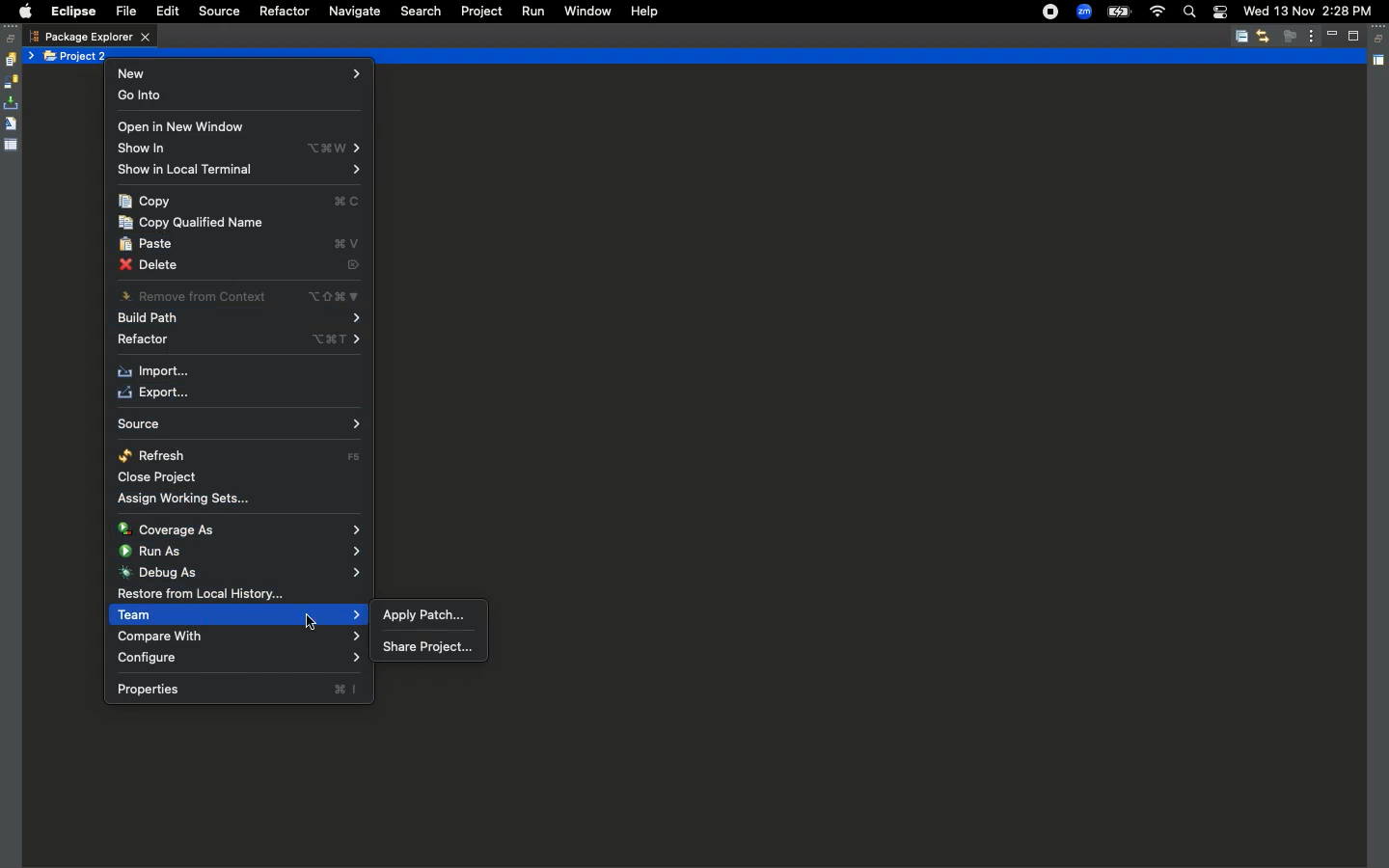 This screenshot has height=868, width=1389. Describe the element at coordinates (10, 60) in the screenshot. I see `History` at that location.